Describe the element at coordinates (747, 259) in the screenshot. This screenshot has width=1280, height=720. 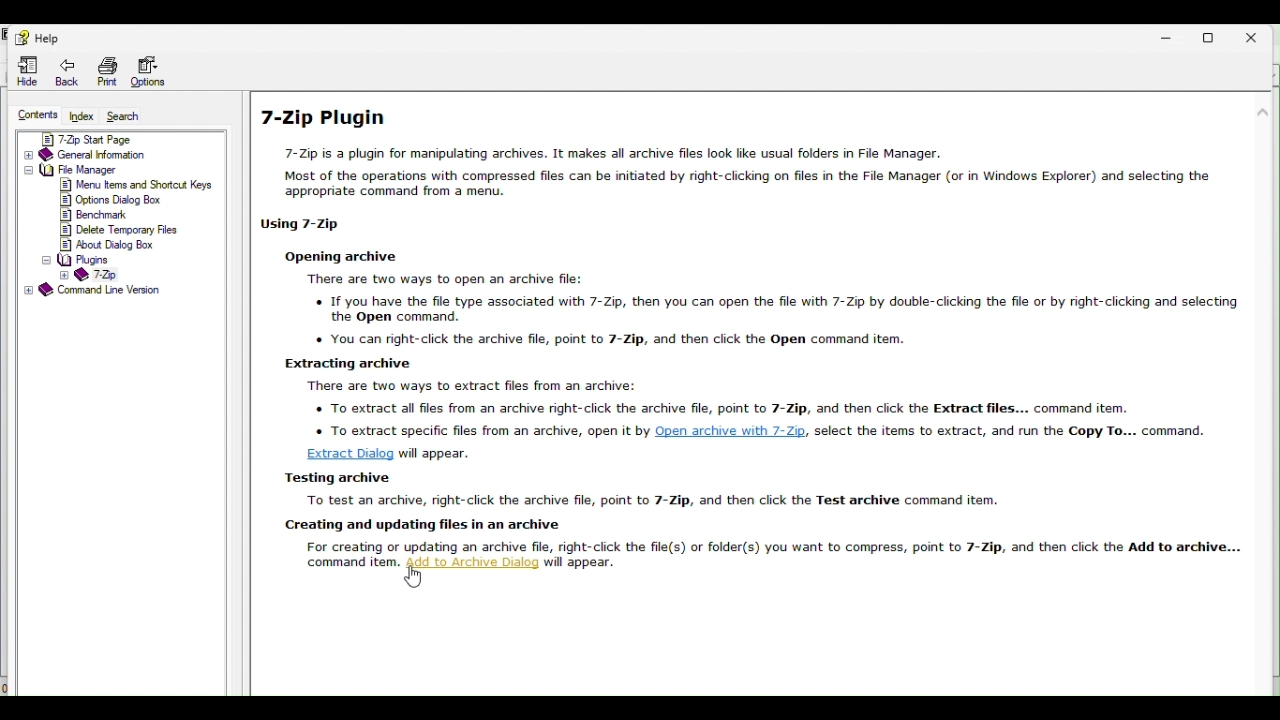
I see `7-Zip Plugin
7-2ip is a plugin for manipulating archives. It makes al archive files look like usual folders in File Manager.
Most of the operations with compressed files can be initiated by right-clicking on files in the File Manager (or in Windows Explorer) and selecting the
appropriate command from a menu.
using 7-Zip
Opening archive
There are two ways to open an archive file:
« 1f you have the file type associated with 7-Zip, then you can open the file with 7-Zip by double-clicking the file or by right-clicking and selecting
the Open command.
« You can right-click the archive file, point to 7-Zip, and then click the Open command item.
Extracting archive
There are two ways to extract files from an archive:
+ To extract all files from an archive right-click the archive file, point to 7-Zip, and then click the Extract files... command item.` at that location.